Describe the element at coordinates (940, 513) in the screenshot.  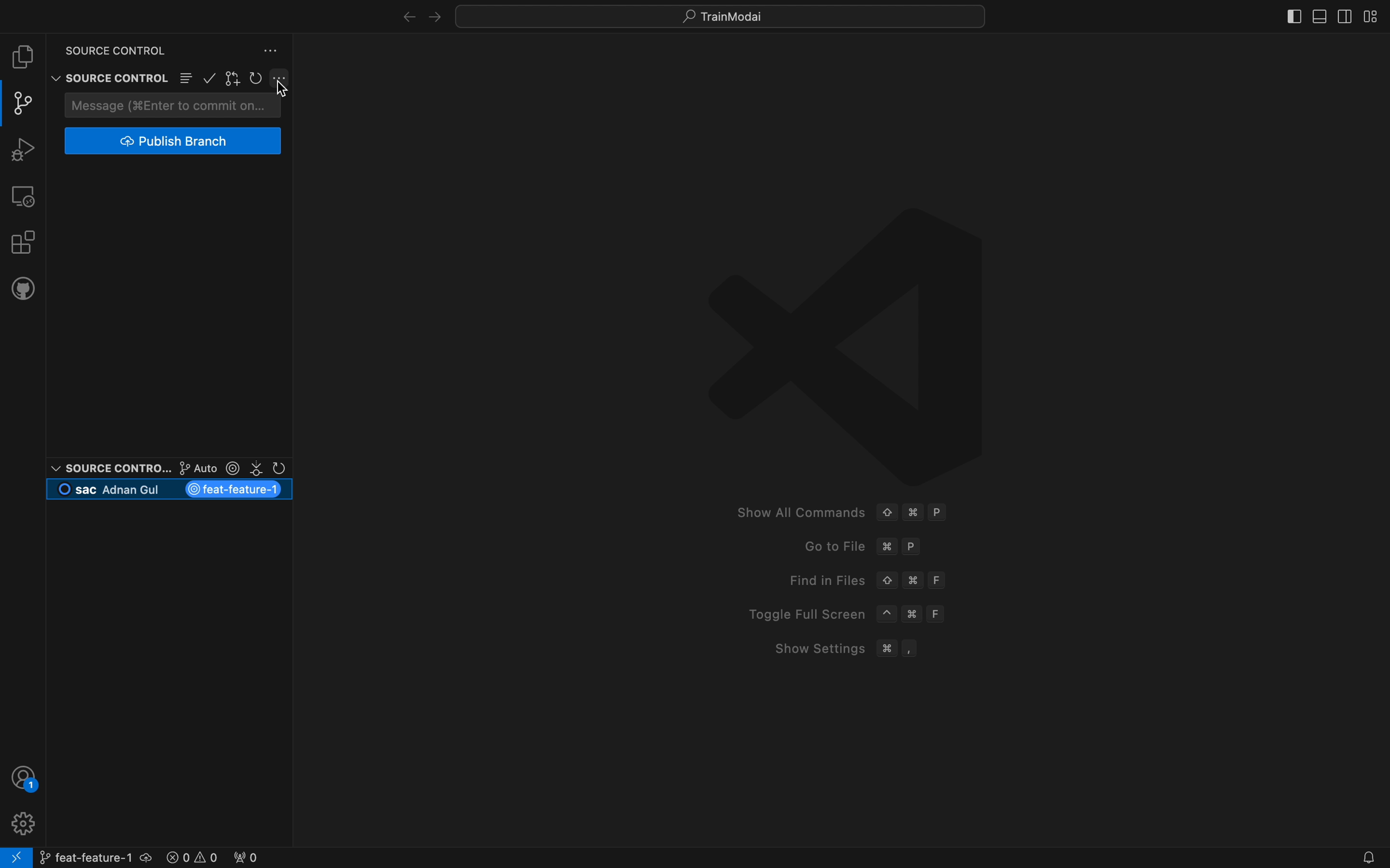
I see `P` at that location.